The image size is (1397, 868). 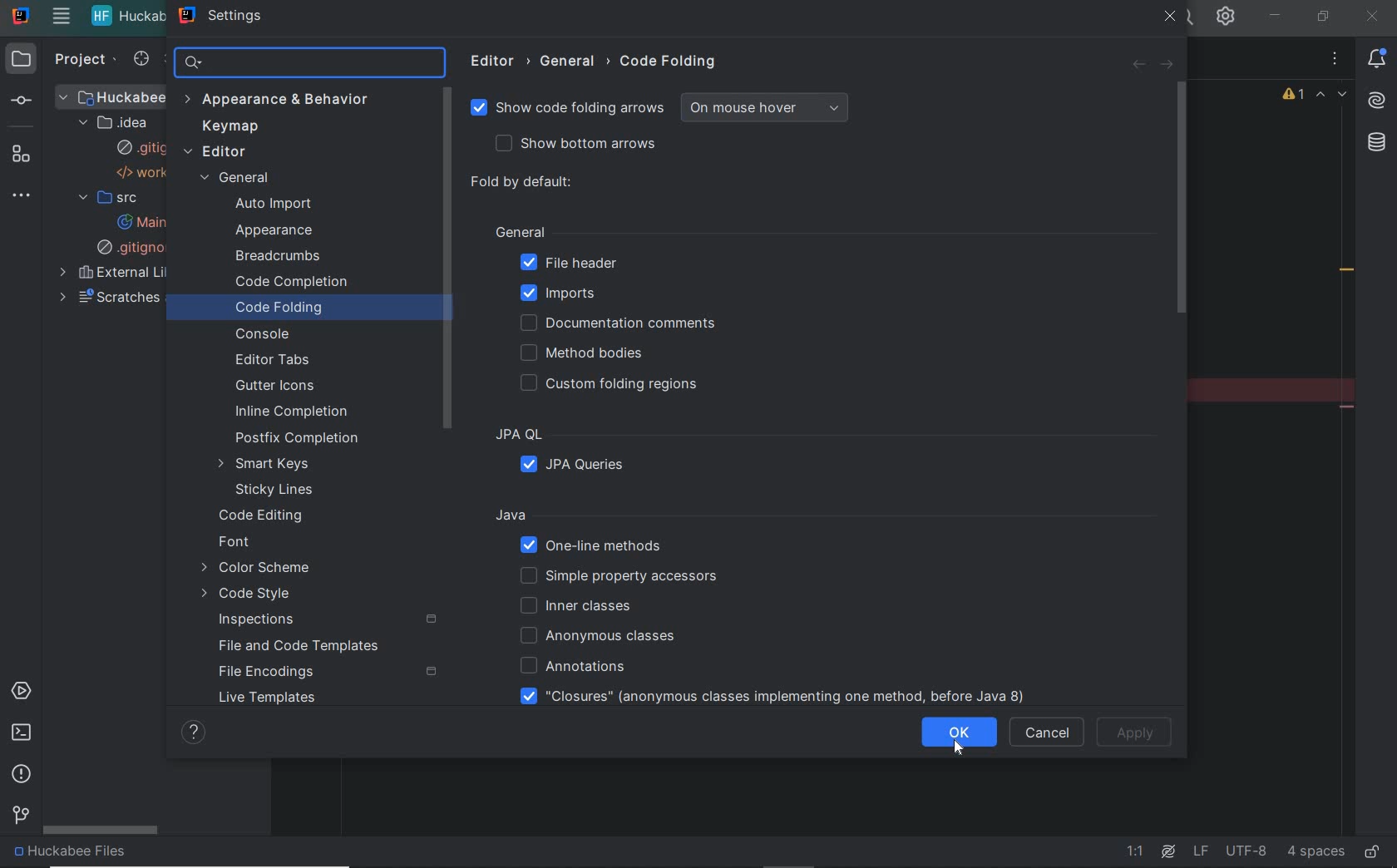 What do you see at coordinates (594, 635) in the screenshot?
I see `anonymous classes` at bounding box center [594, 635].